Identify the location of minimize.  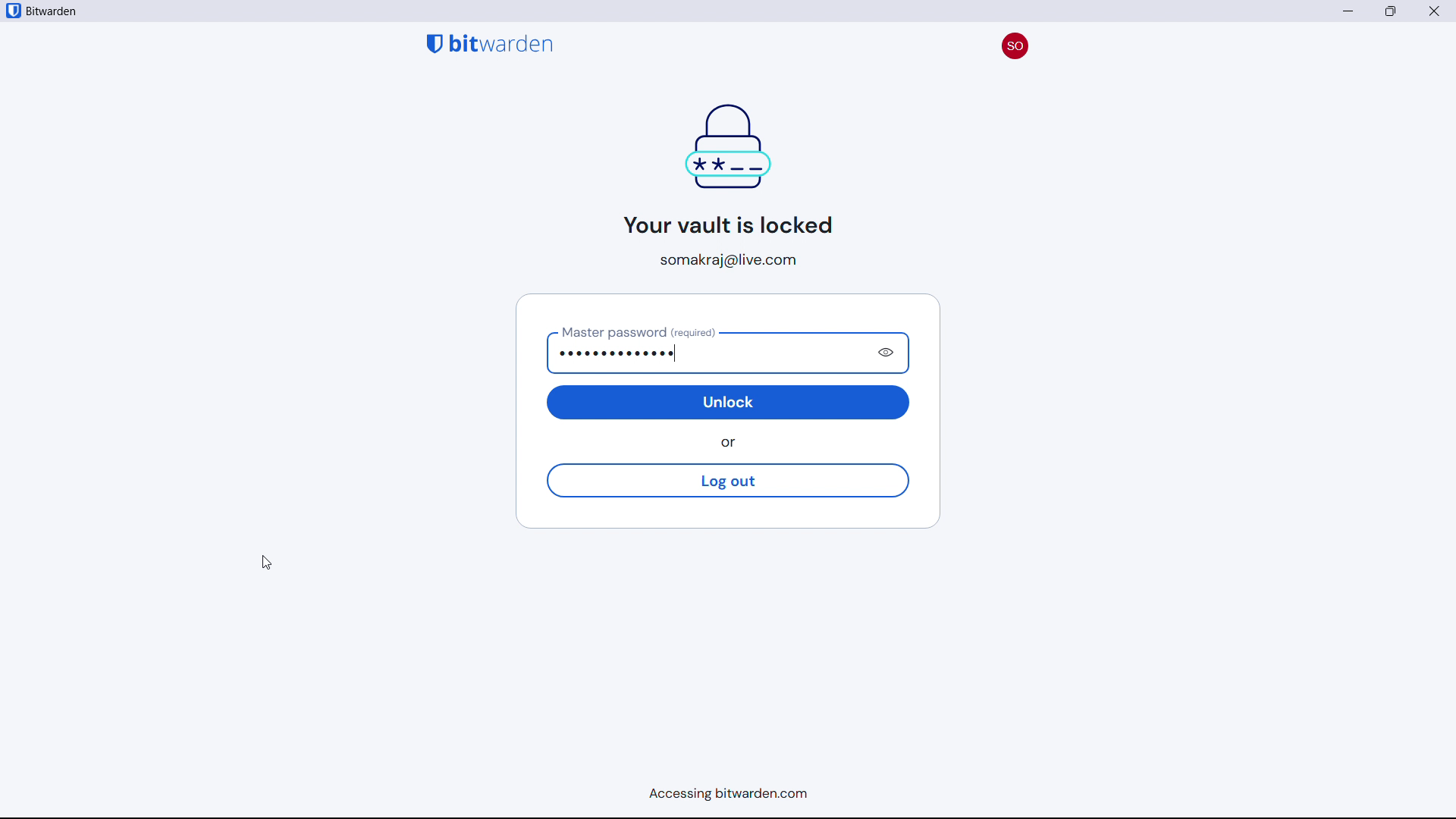
(1349, 11).